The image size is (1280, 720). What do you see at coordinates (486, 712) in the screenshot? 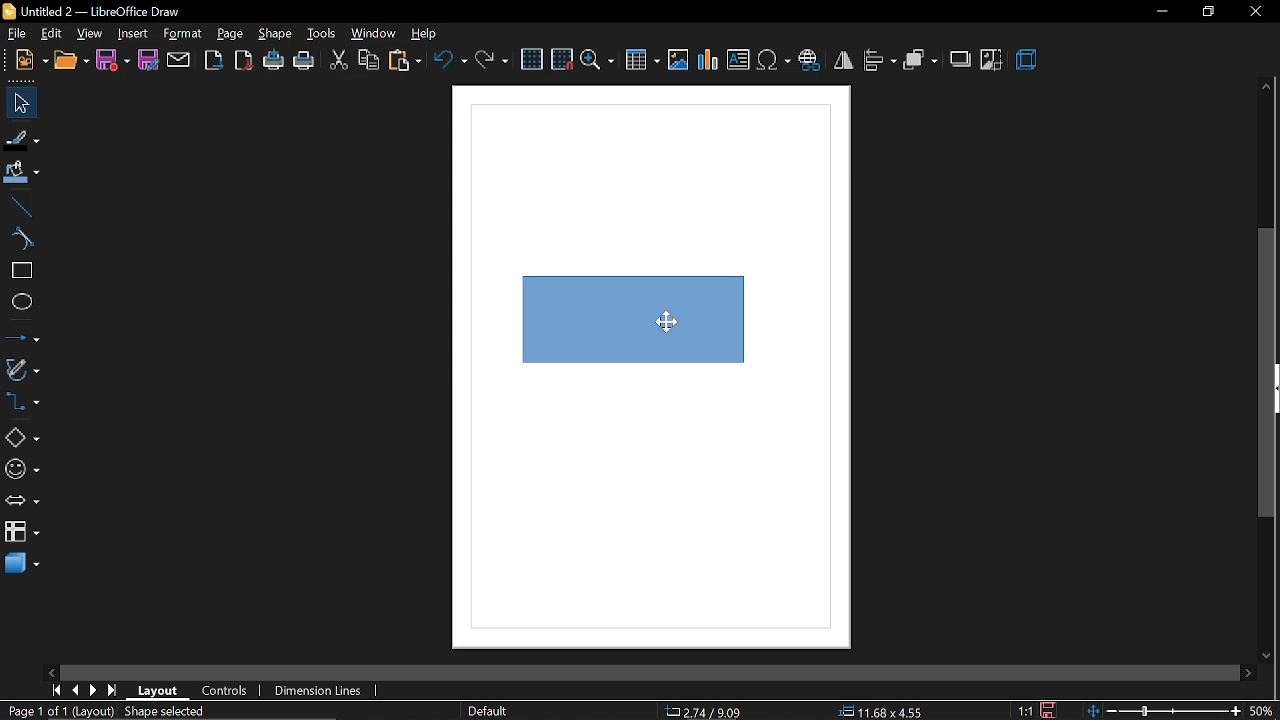
I see `Default` at bounding box center [486, 712].